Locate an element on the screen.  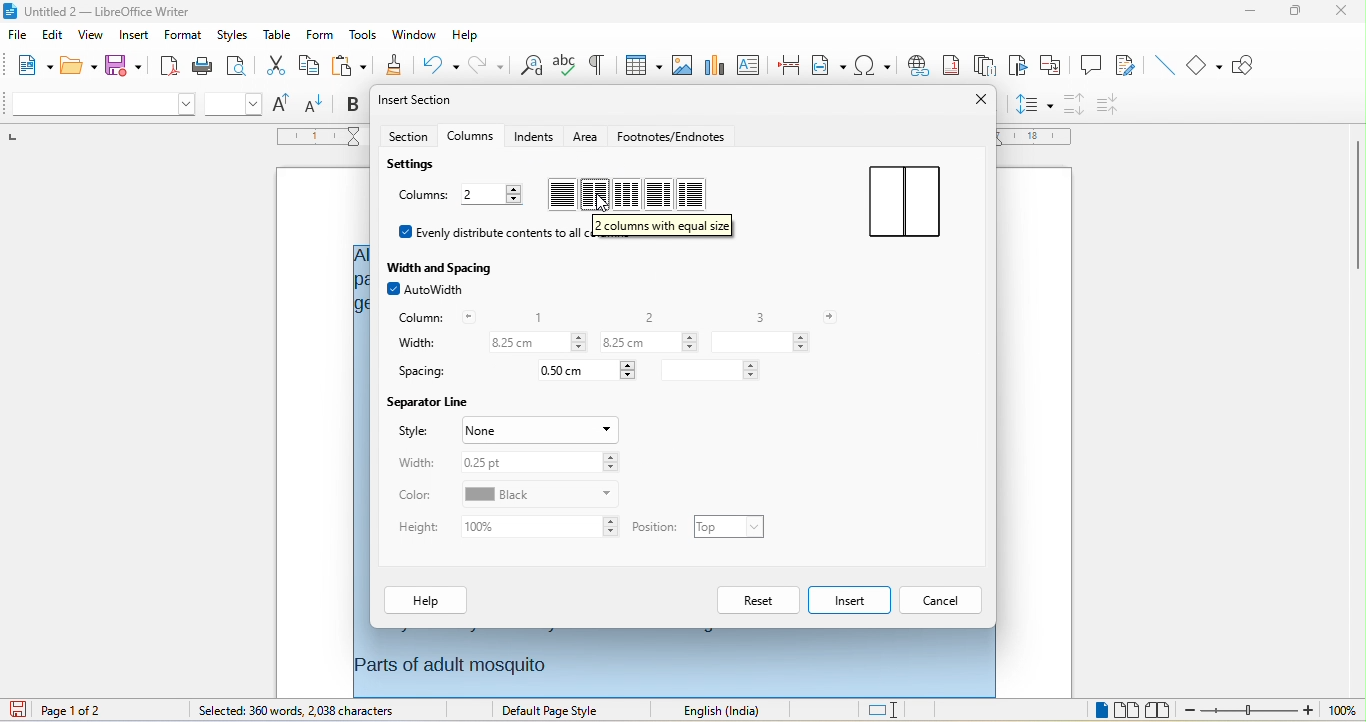
spacing between column 1 & 2 is located at coordinates (587, 370).